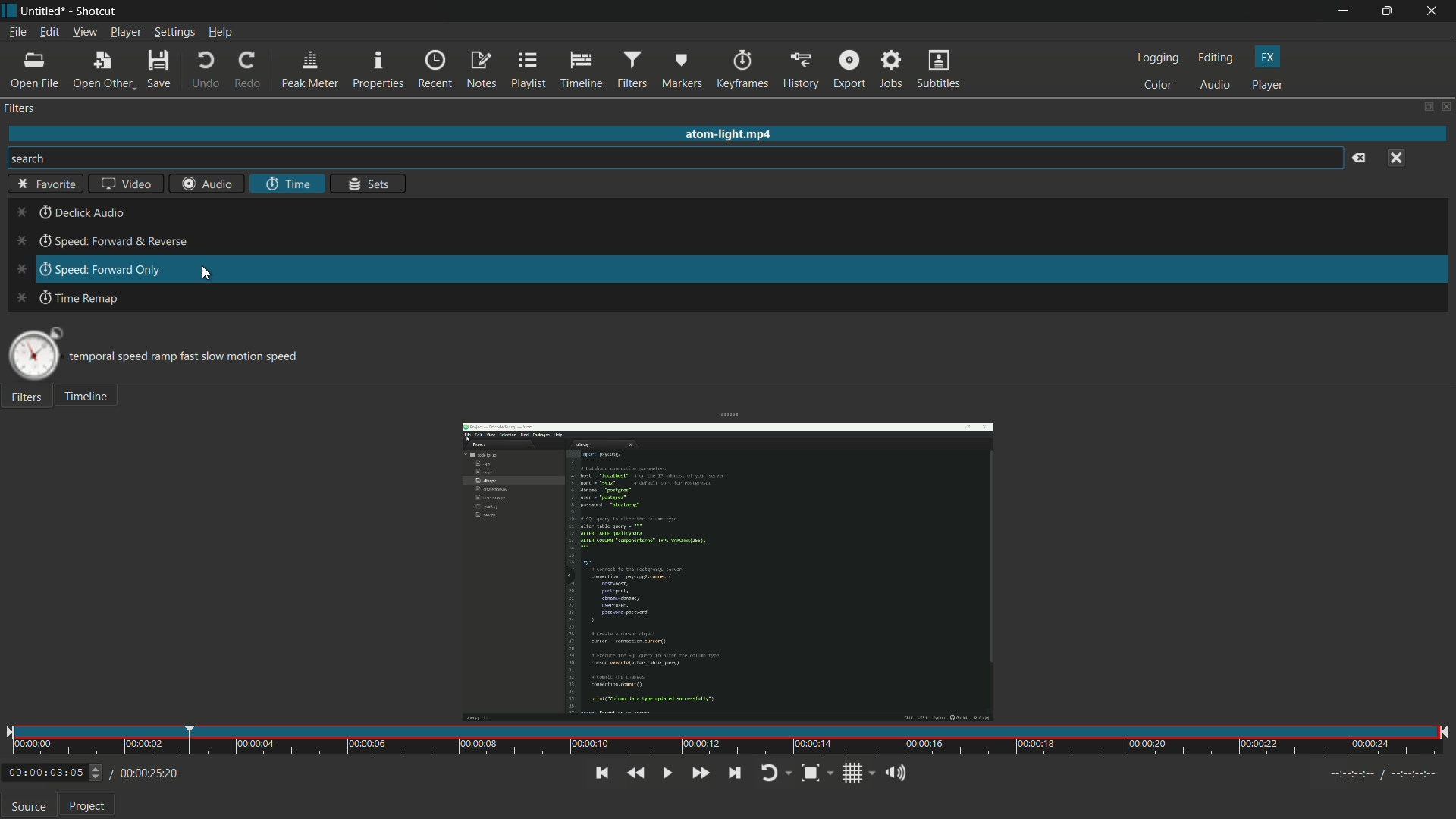  What do you see at coordinates (1159, 86) in the screenshot?
I see `color` at bounding box center [1159, 86].